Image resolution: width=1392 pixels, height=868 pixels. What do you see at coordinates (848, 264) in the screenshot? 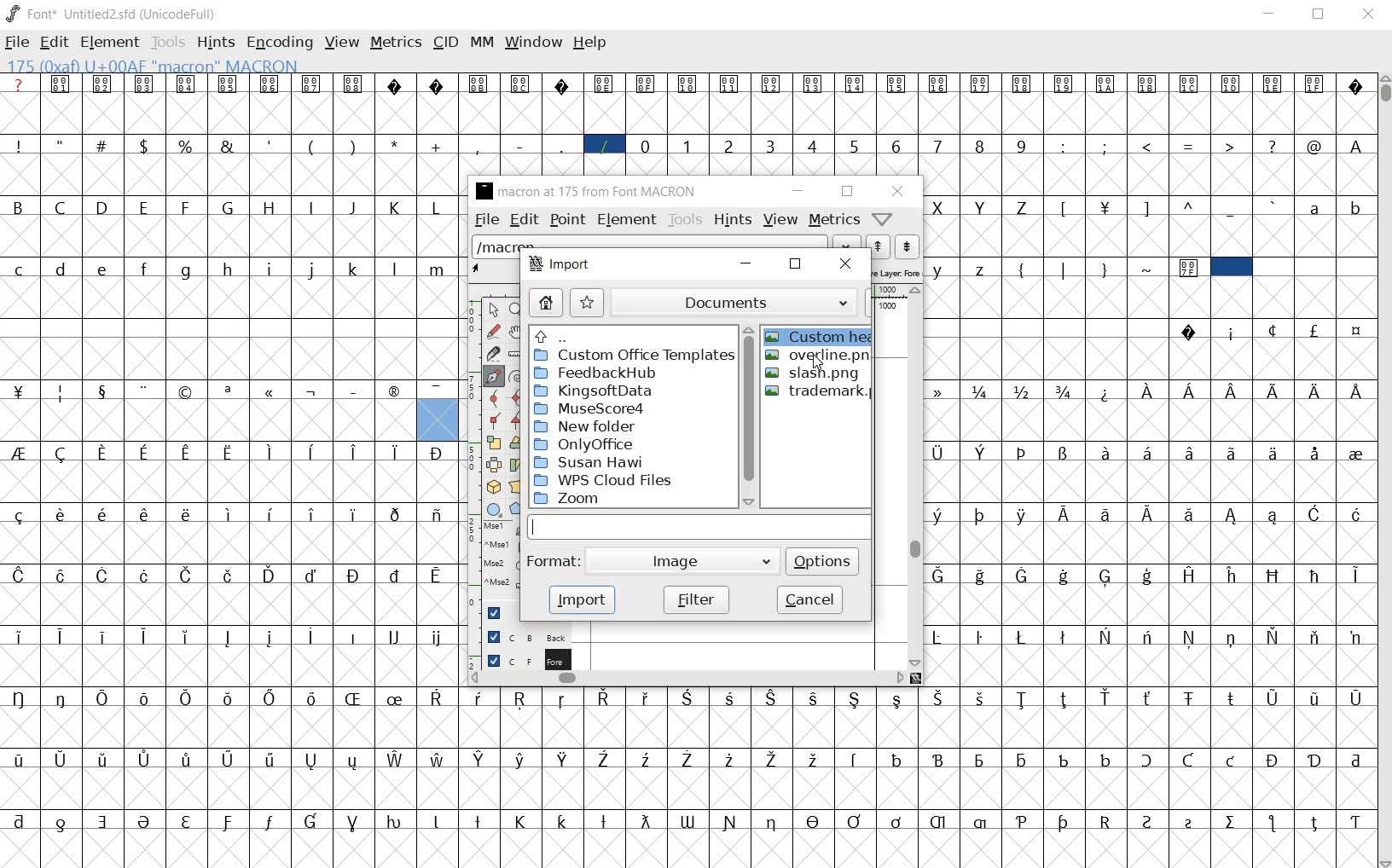
I see `close` at bounding box center [848, 264].